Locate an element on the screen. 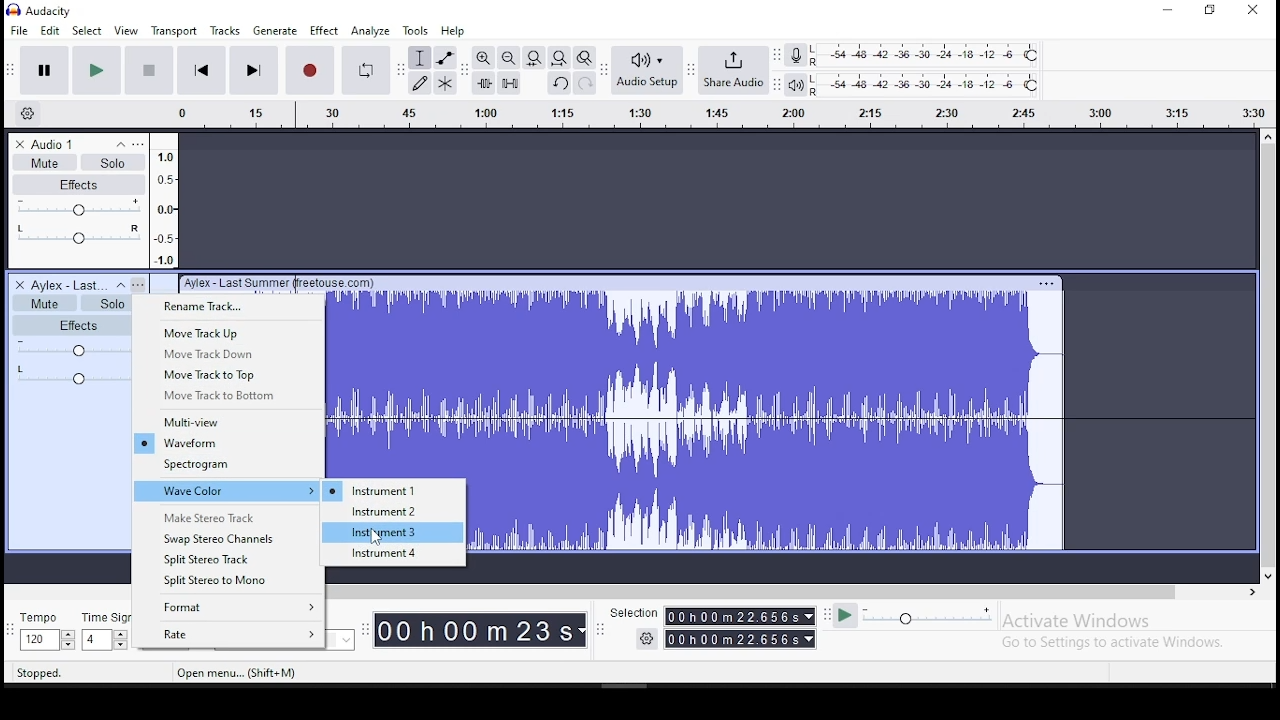 Image resolution: width=1280 pixels, height=720 pixels. playback meter is located at coordinates (795, 84).